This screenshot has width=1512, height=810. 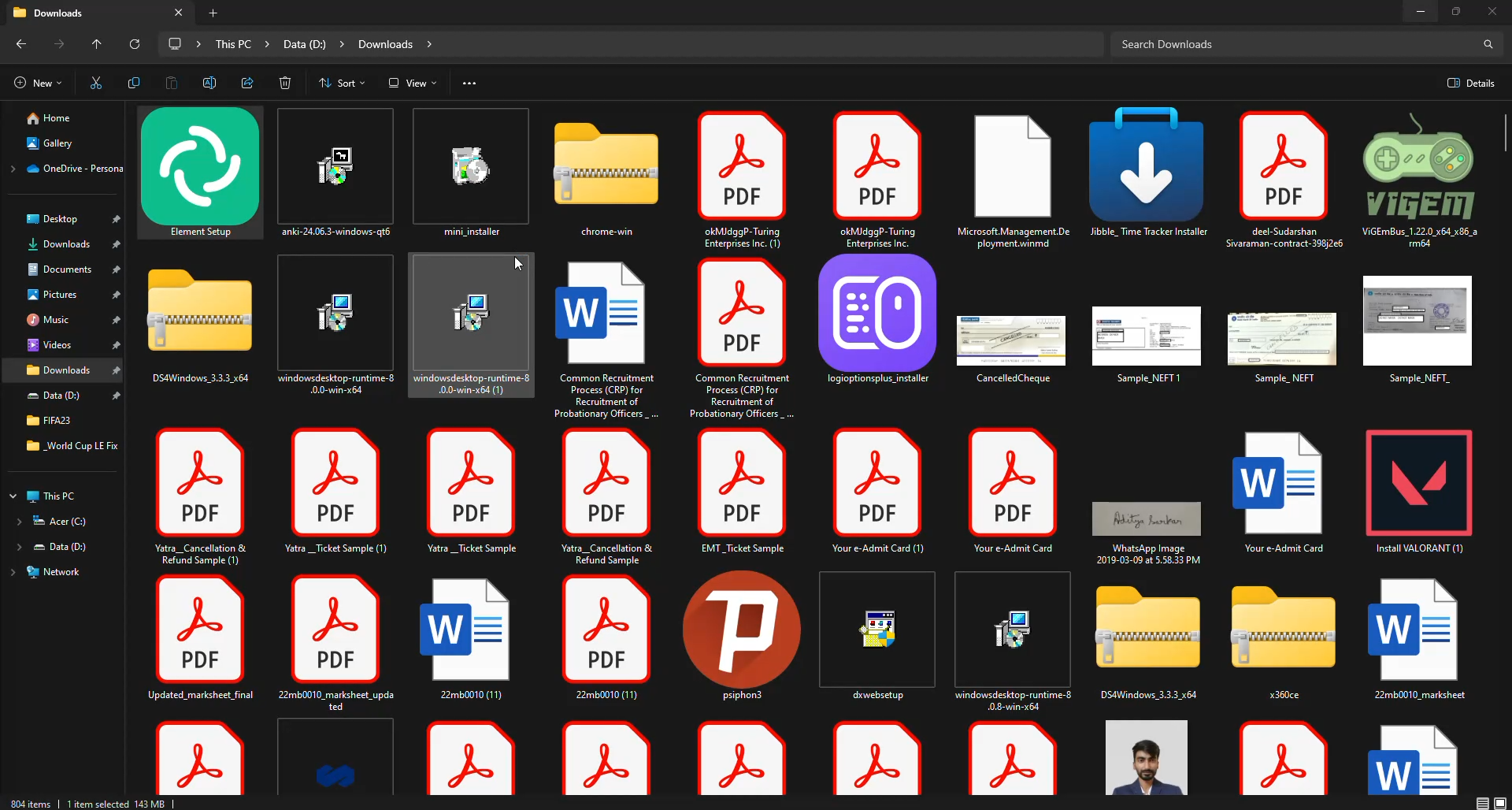 What do you see at coordinates (743, 635) in the screenshot?
I see `file` at bounding box center [743, 635].